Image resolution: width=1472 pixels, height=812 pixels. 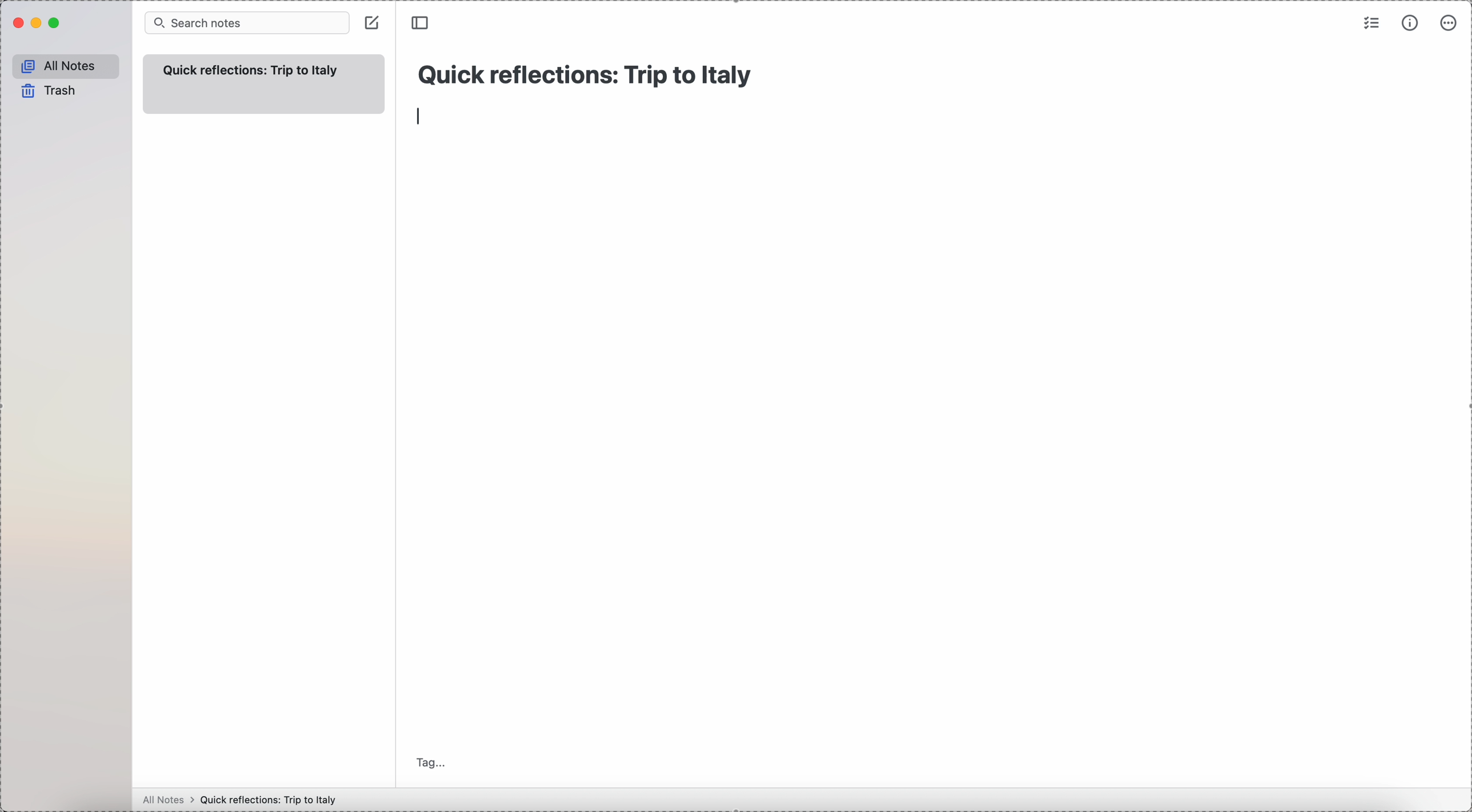 What do you see at coordinates (374, 23) in the screenshot?
I see `click on create note` at bounding box center [374, 23].